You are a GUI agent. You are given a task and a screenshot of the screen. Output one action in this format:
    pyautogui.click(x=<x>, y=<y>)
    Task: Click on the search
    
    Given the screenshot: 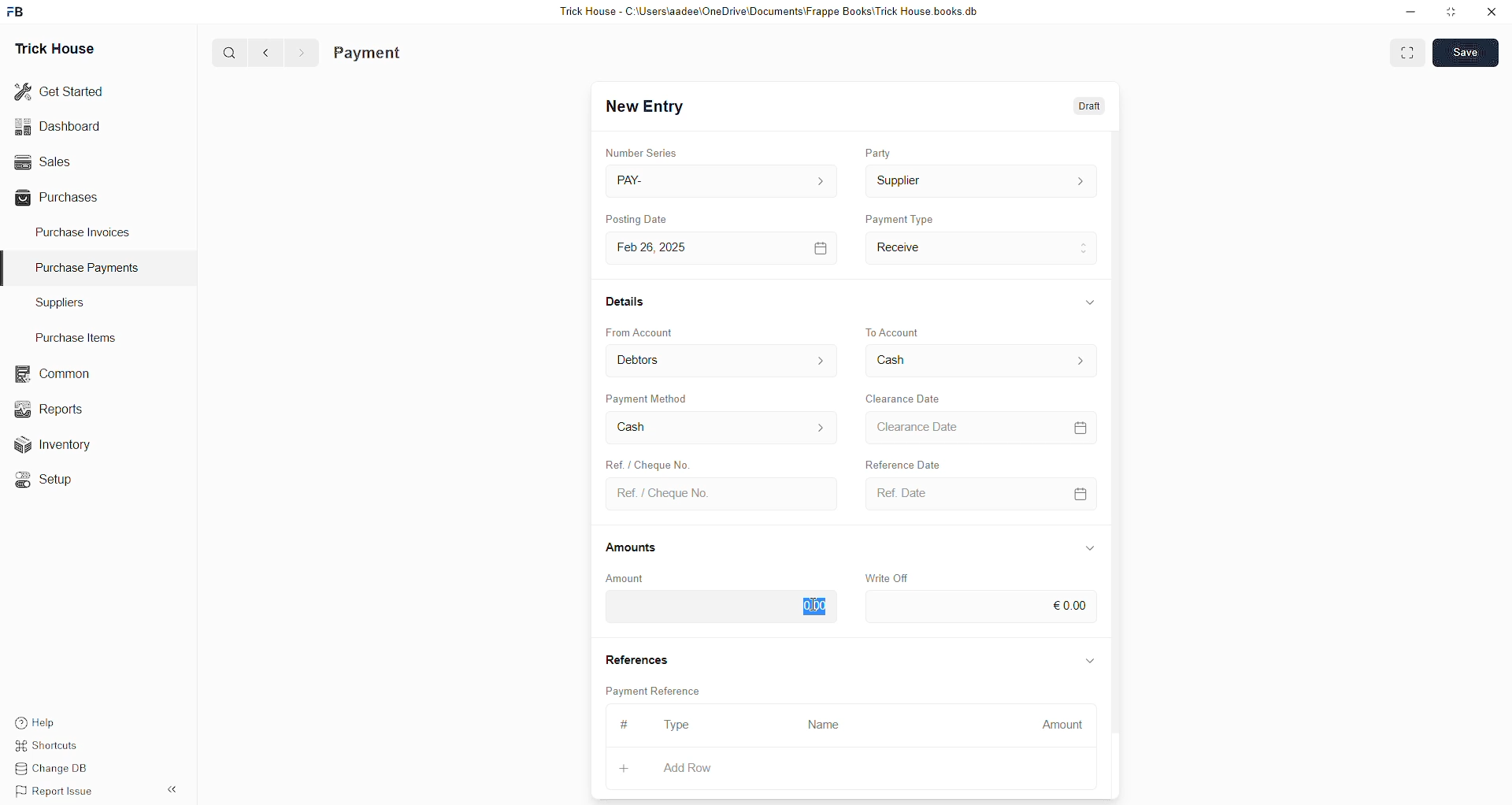 What is the action you would take?
    pyautogui.click(x=231, y=53)
    